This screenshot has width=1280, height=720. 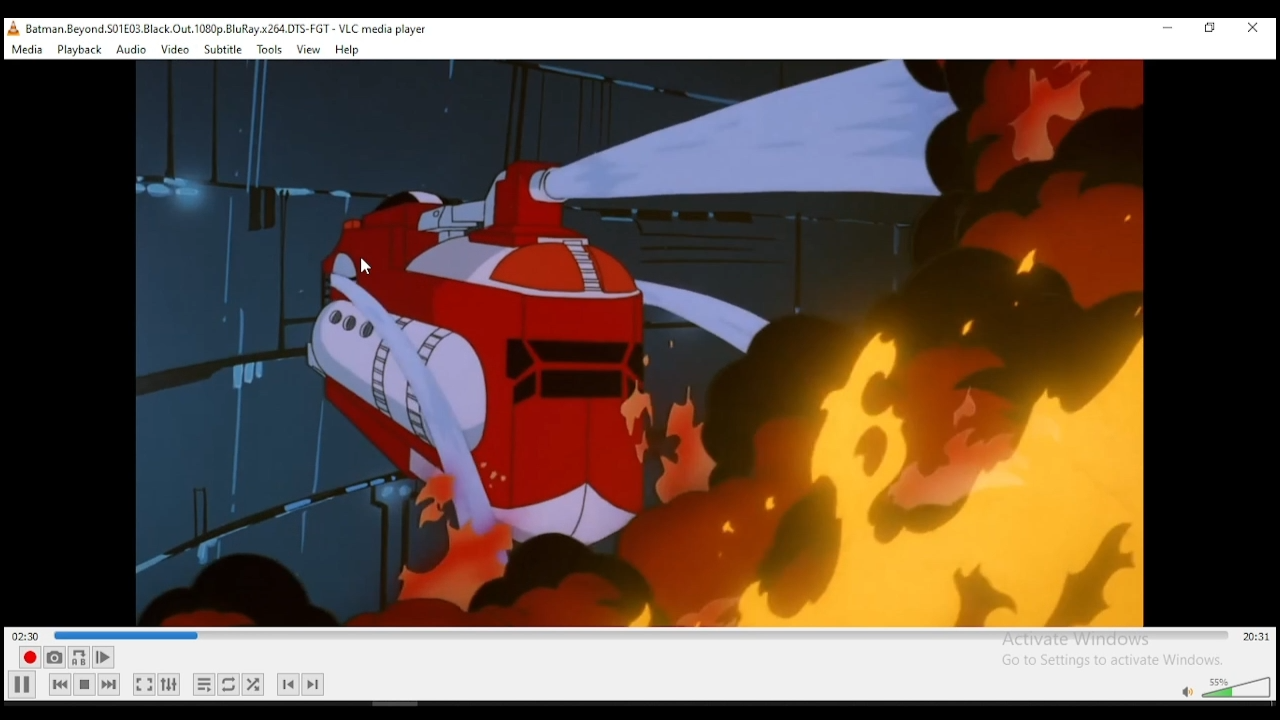 What do you see at coordinates (144, 685) in the screenshot?
I see `toggle video in fullscrenn` at bounding box center [144, 685].